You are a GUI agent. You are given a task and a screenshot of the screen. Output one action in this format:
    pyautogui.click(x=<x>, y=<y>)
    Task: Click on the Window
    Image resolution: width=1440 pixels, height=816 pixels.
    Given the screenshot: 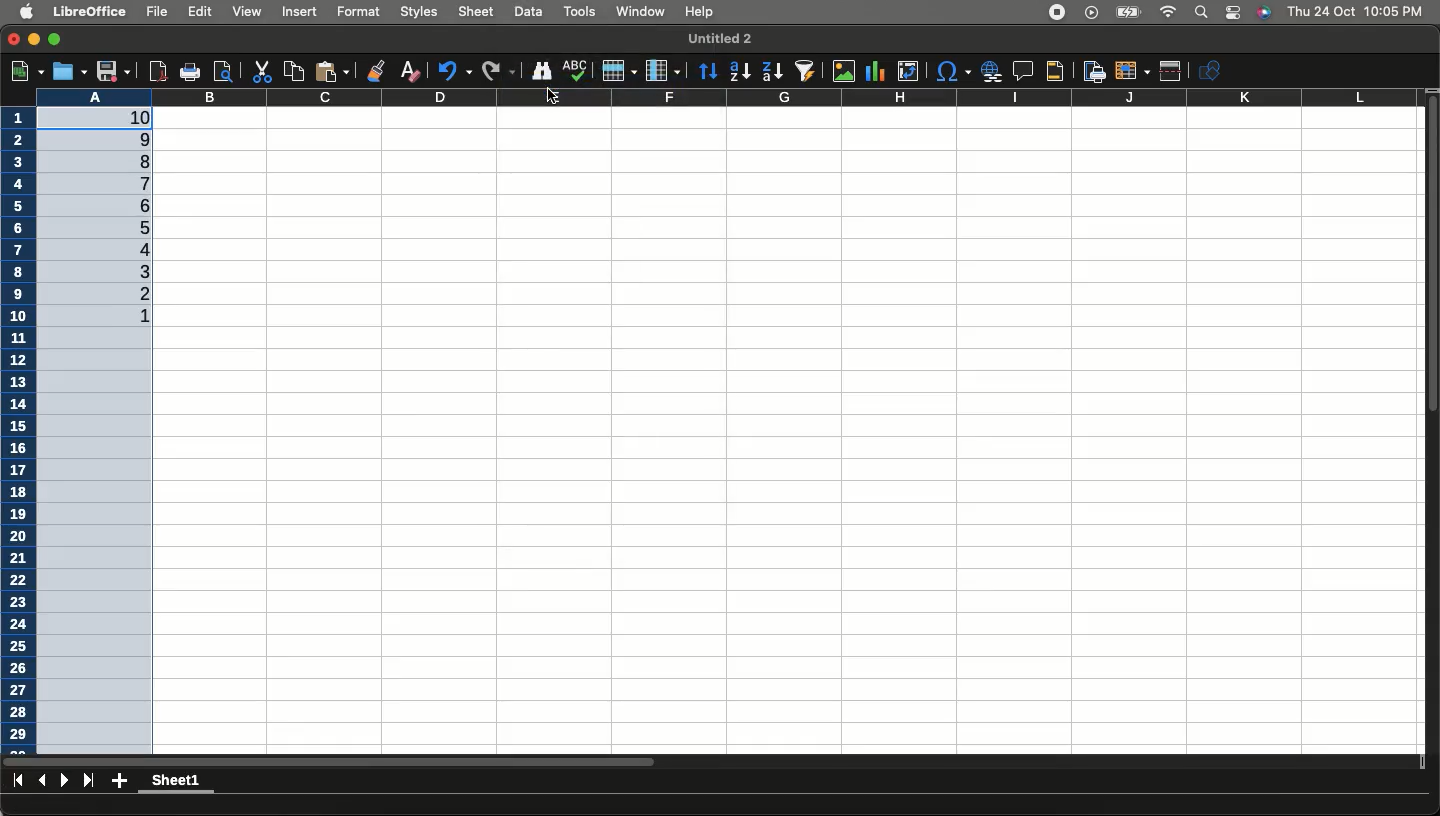 What is the action you would take?
    pyautogui.click(x=639, y=12)
    